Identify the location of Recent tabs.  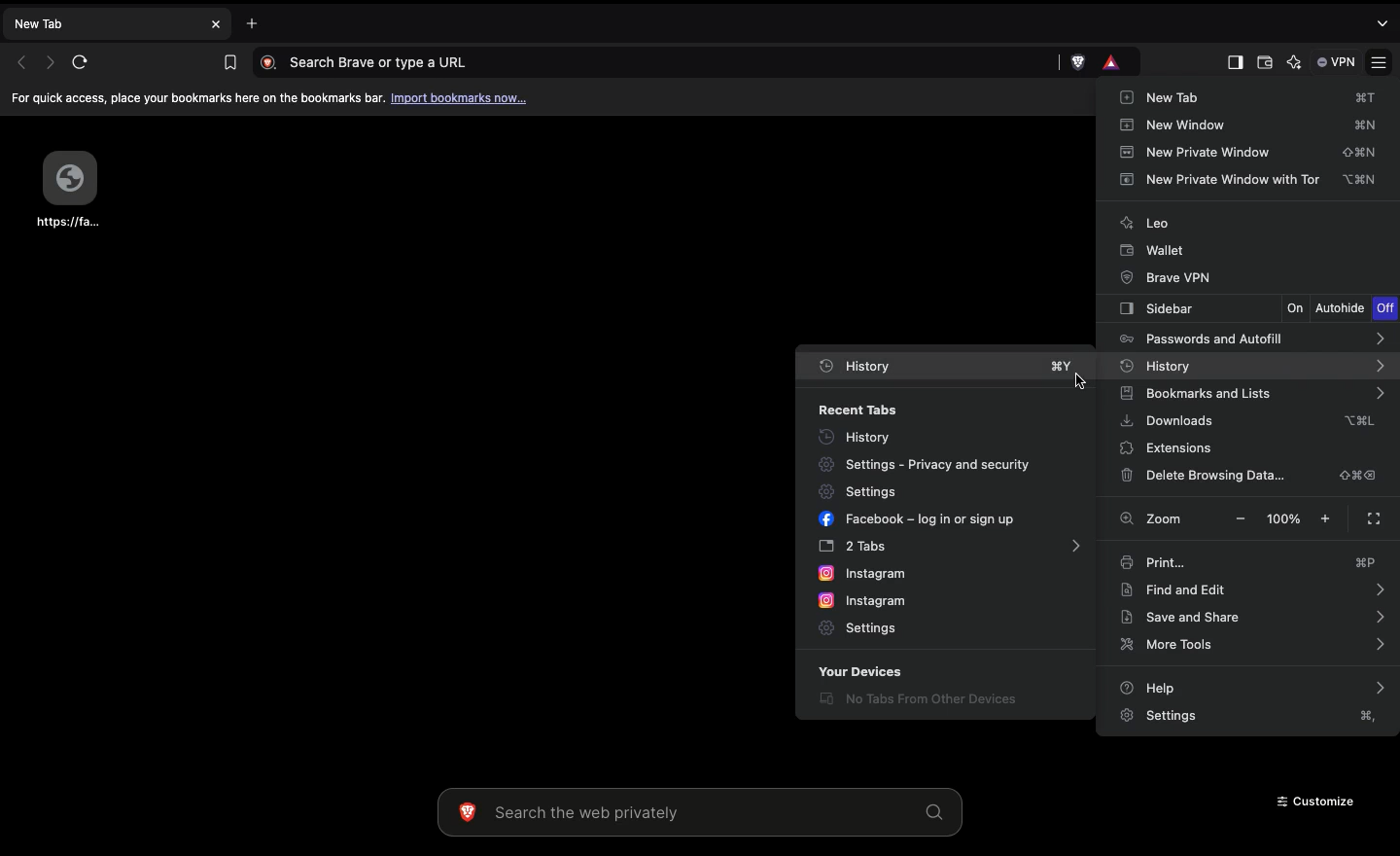
(863, 409).